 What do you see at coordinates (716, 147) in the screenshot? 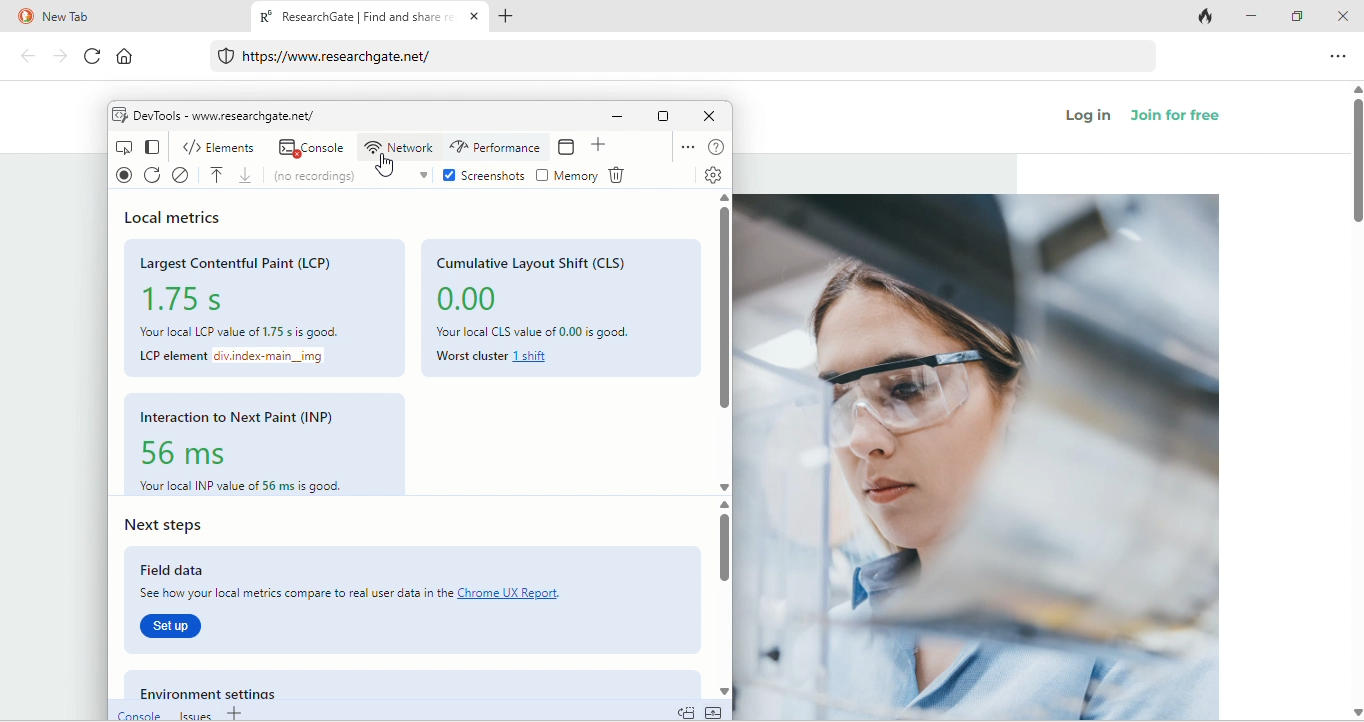
I see `help` at bounding box center [716, 147].